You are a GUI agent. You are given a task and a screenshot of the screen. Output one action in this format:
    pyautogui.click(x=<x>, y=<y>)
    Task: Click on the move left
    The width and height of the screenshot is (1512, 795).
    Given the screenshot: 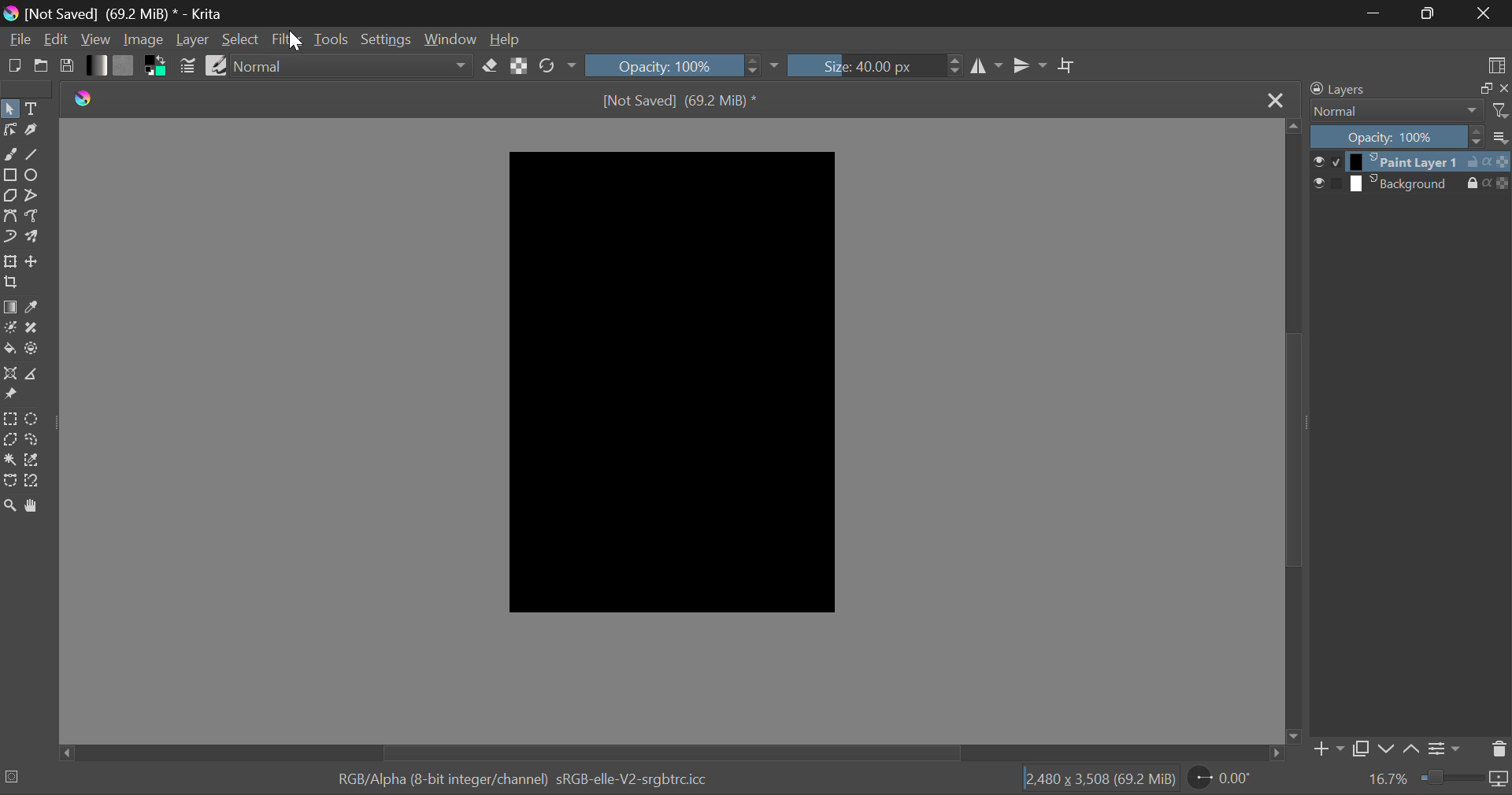 What is the action you would take?
    pyautogui.click(x=63, y=751)
    